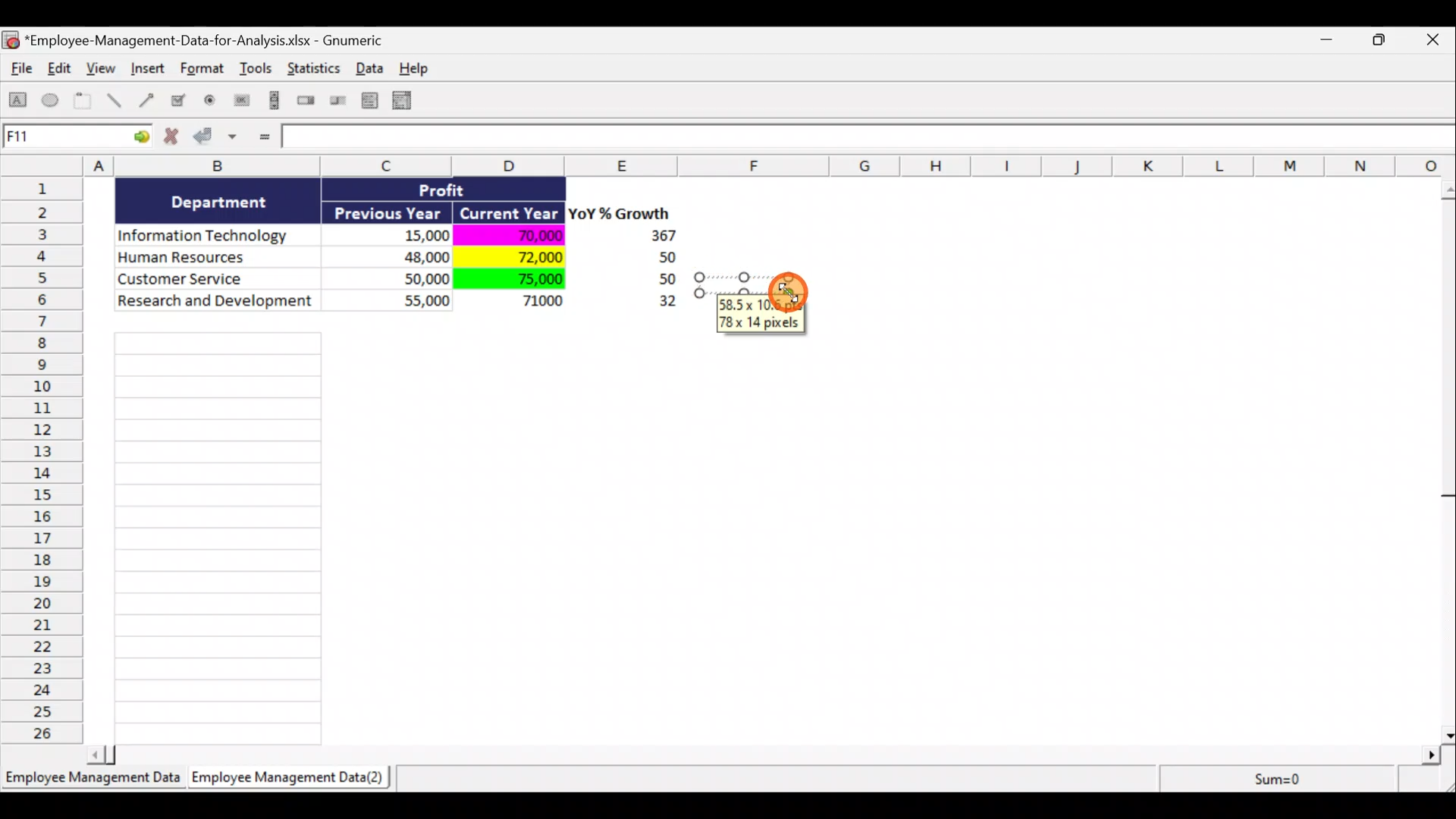 The height and width of the screenshot is (819, 1456). What do you see at coordinates (1387, 38) in the screenshot?
I see `Maximise` at bounding box center [1387, 38].